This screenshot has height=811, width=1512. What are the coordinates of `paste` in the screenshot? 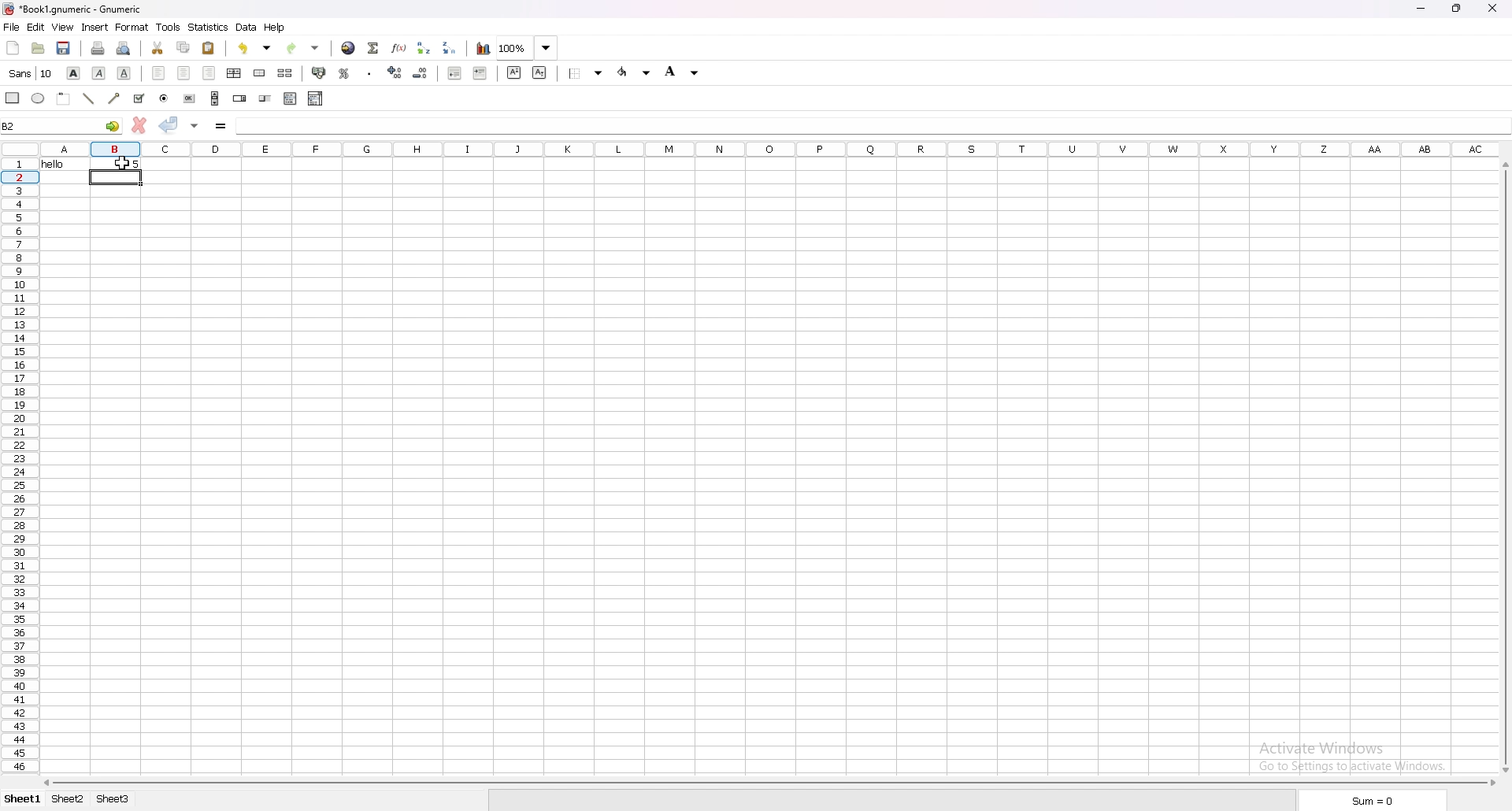 It's located at (209, 49).